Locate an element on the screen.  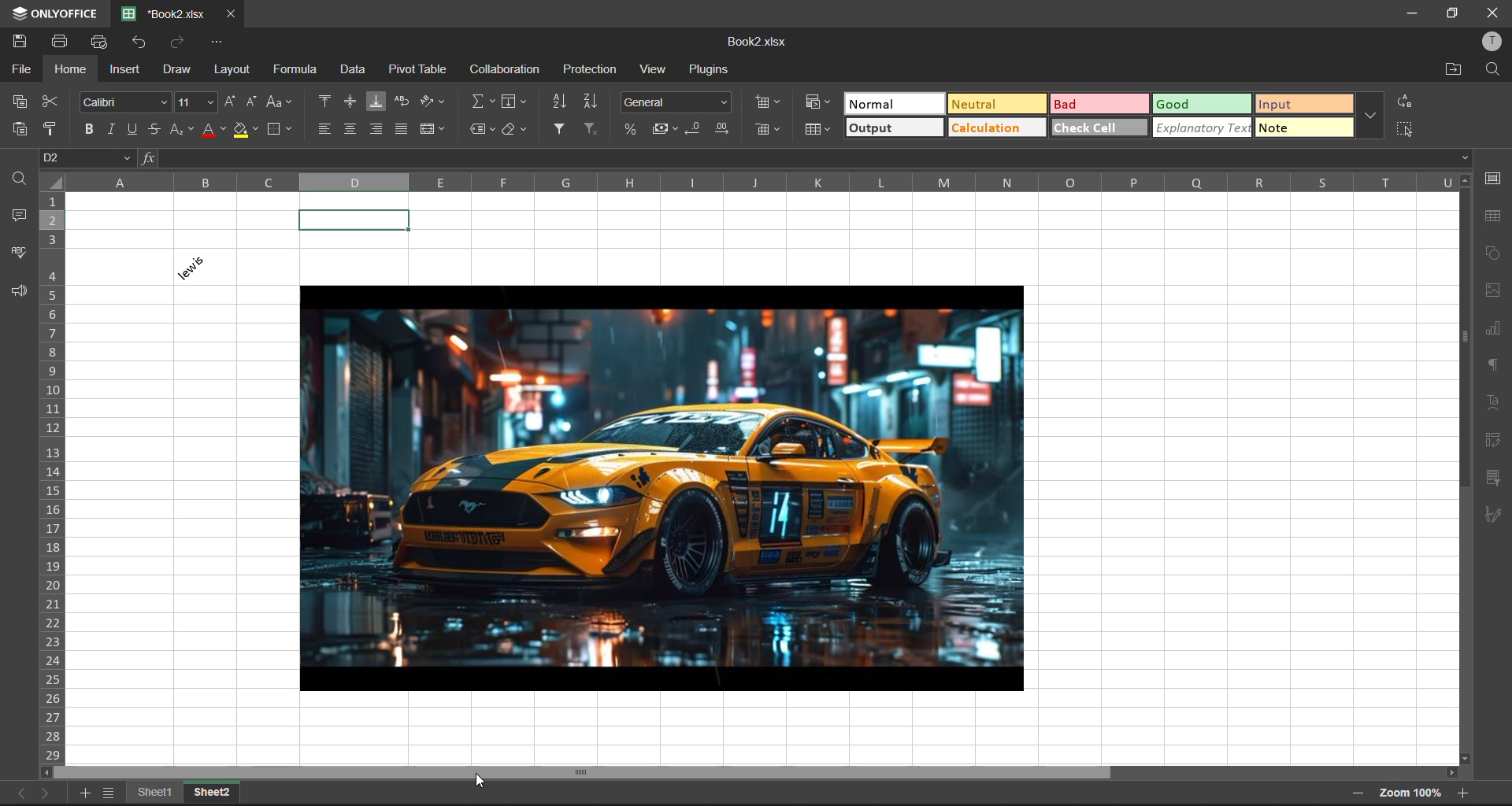
find is located at coordinates (1494, 68).